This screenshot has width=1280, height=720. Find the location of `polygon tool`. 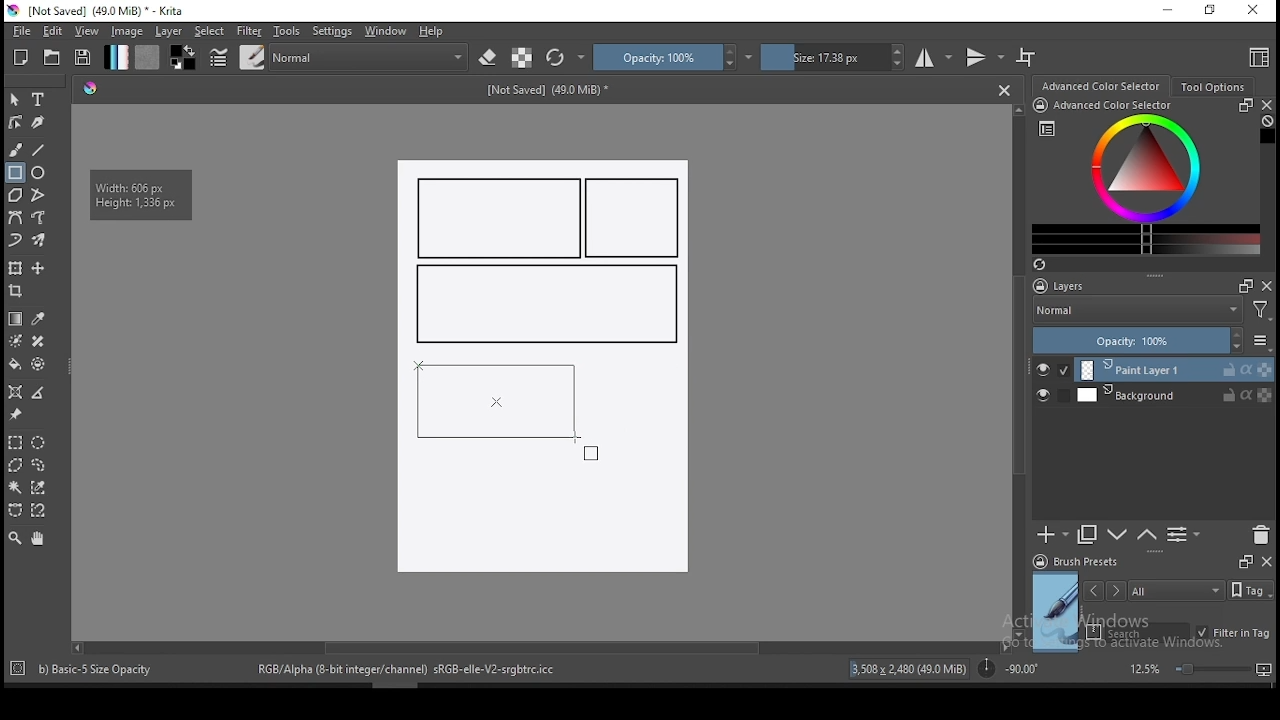

polygon tool is located at coordinates (14, 195).